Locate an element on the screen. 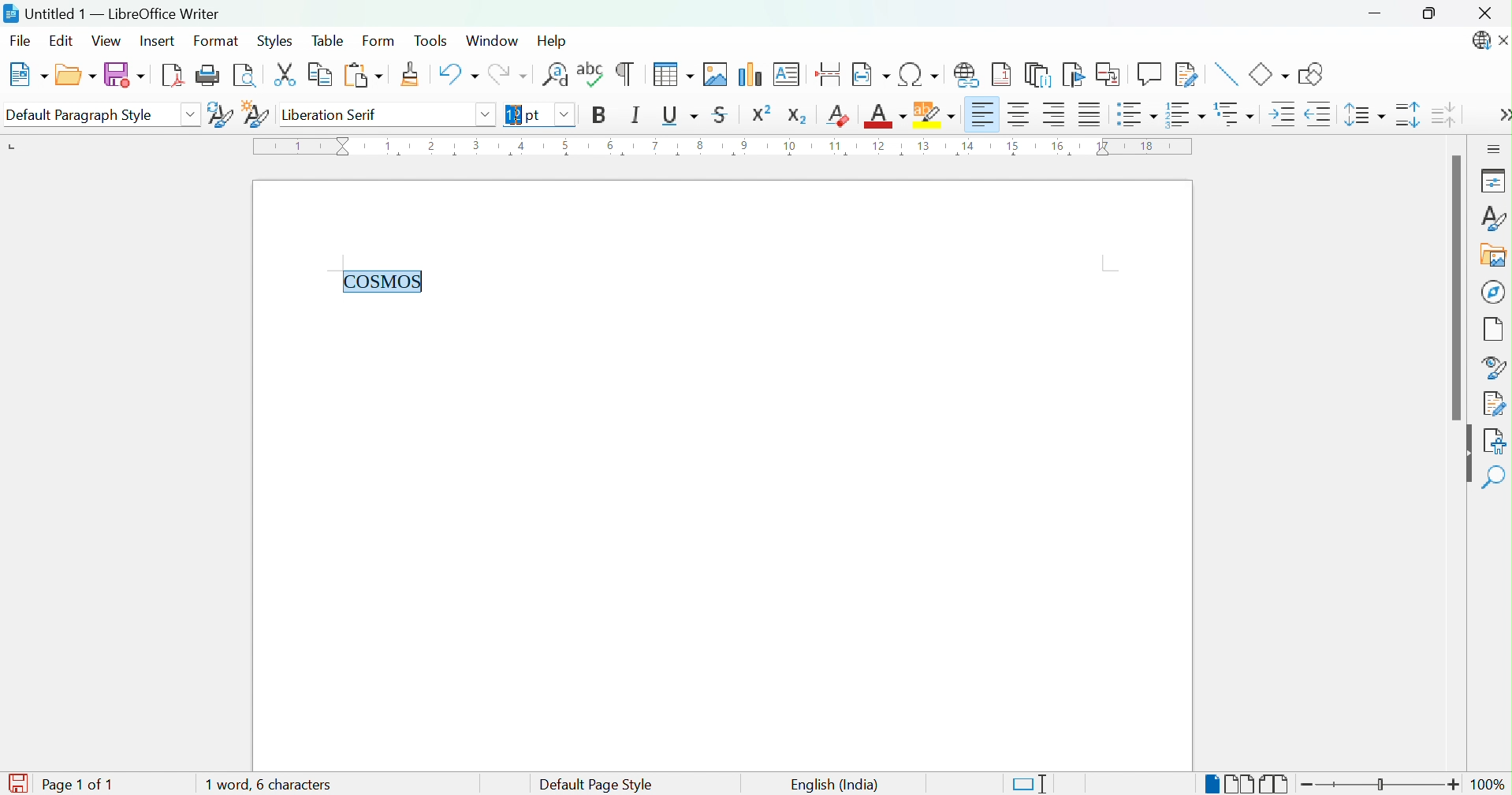 The width and height of the screenshot is (1512, 795). Help is located at coordinates (554, 39).